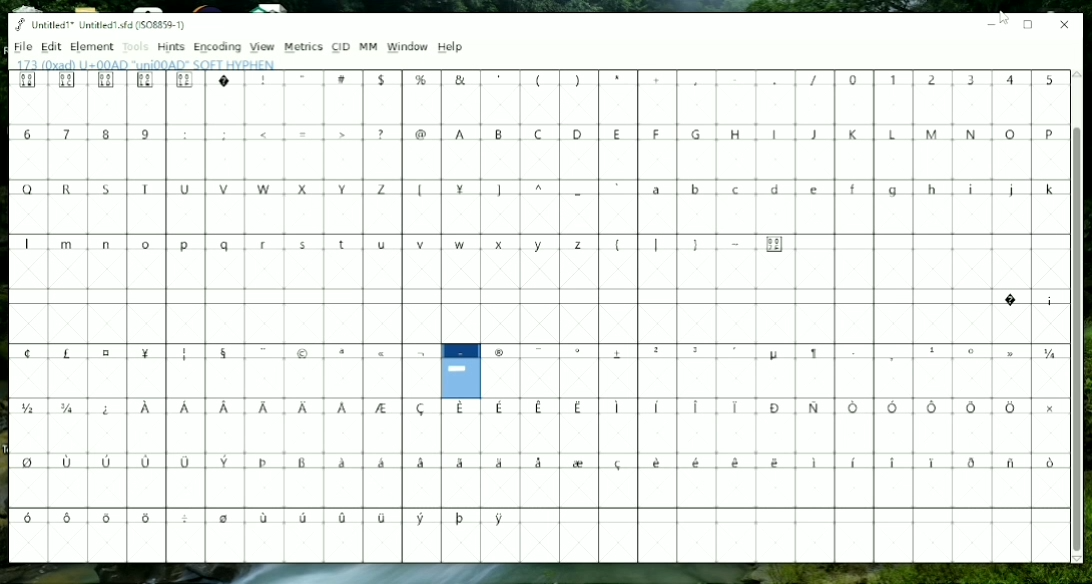  What do you see at coordinates (1065, 25) in the screenshot?
I see `Close` at bounding box center [1065, 25].